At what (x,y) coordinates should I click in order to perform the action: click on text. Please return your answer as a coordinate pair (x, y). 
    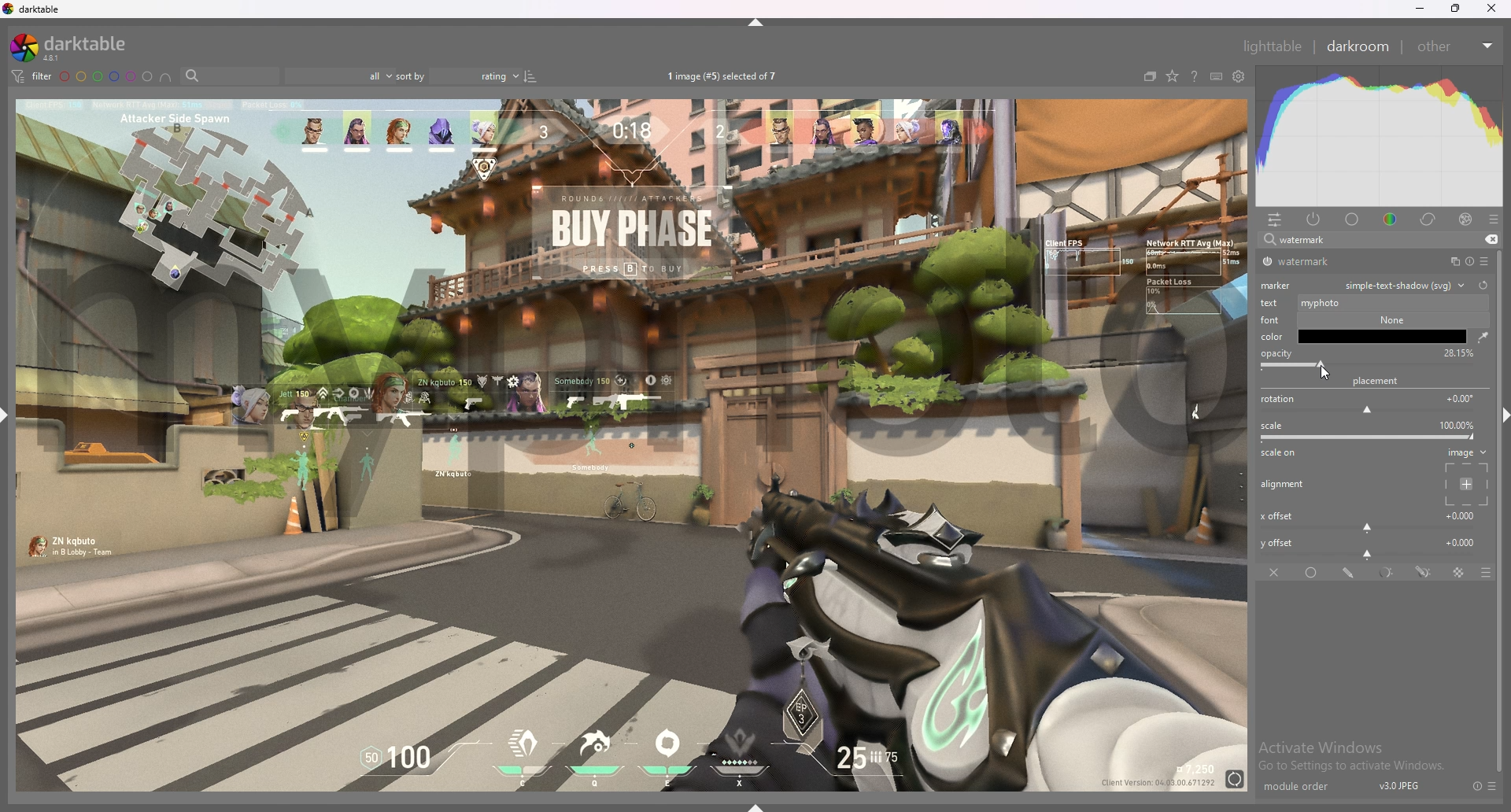
    Looking at the image, I should click on (1272, 302).